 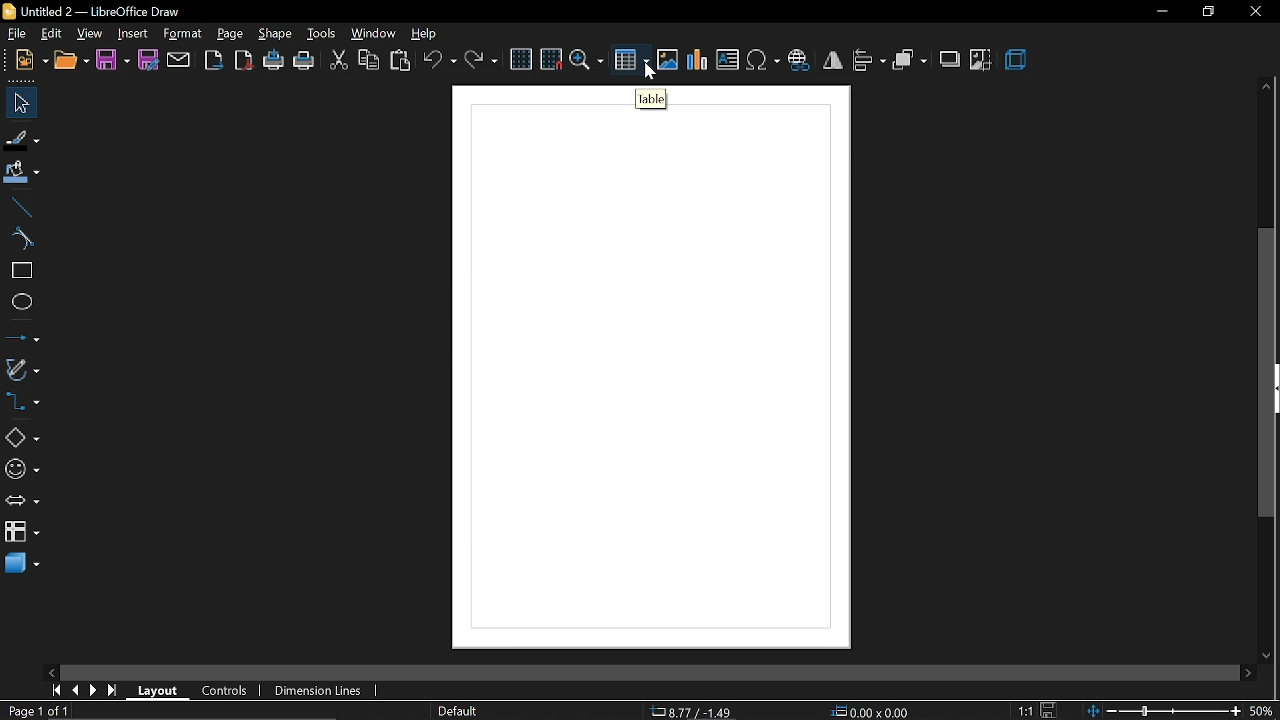 I want to click on Default, so click(x=458, y=710).